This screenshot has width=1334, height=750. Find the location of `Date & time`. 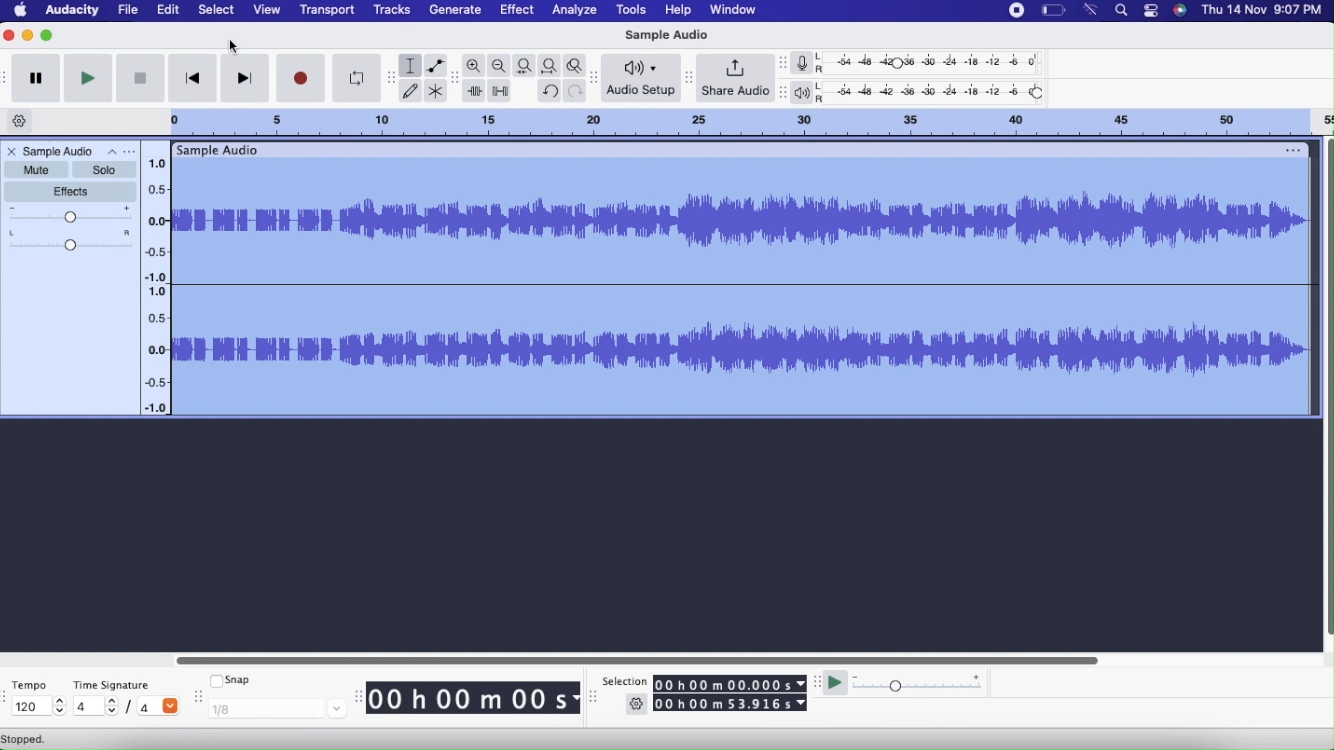

Date & time is located at coordinates (1262, 10).